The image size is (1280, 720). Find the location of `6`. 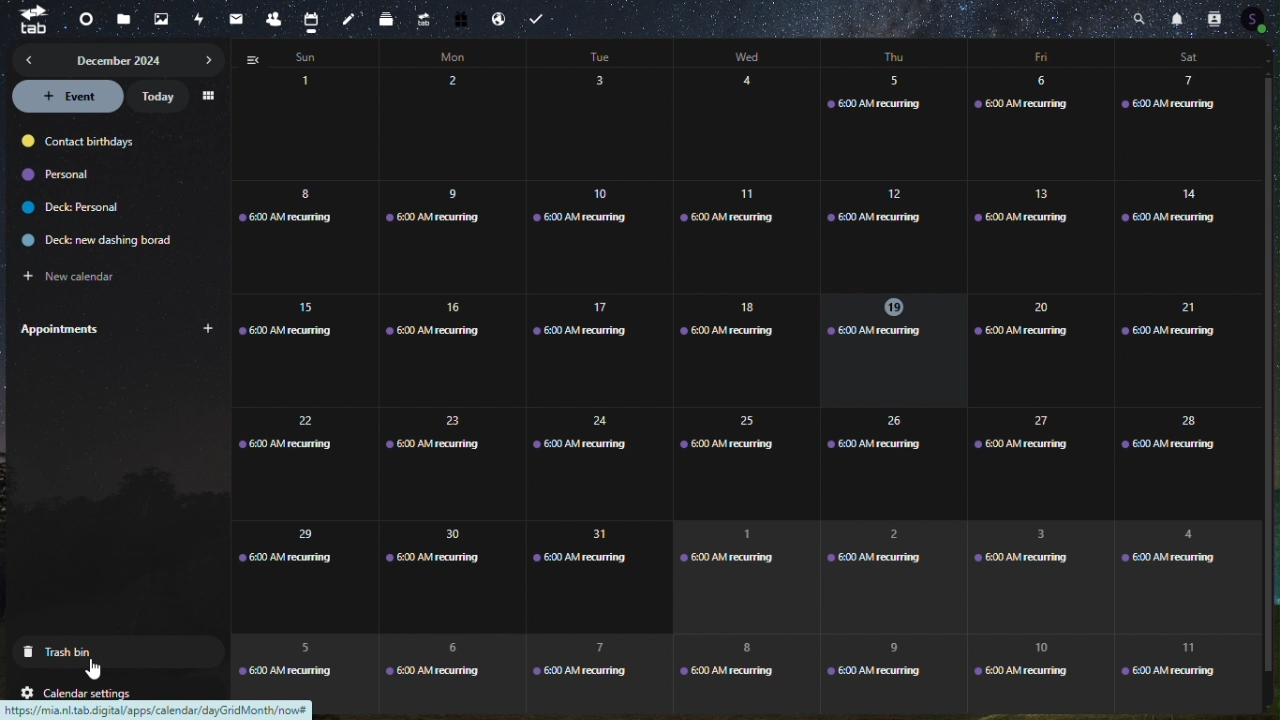

6 is located at coordinates (1038, 125).